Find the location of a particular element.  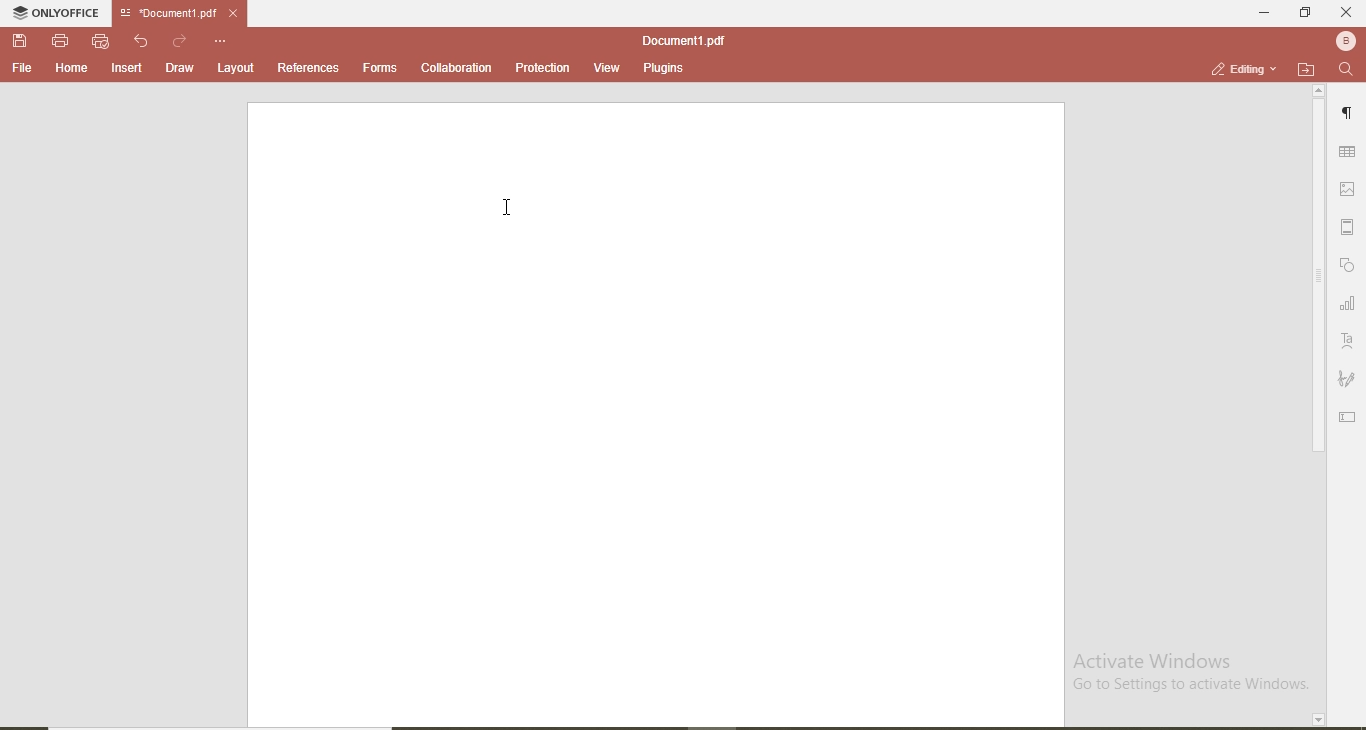

draw is located at coordinates (178, 70).